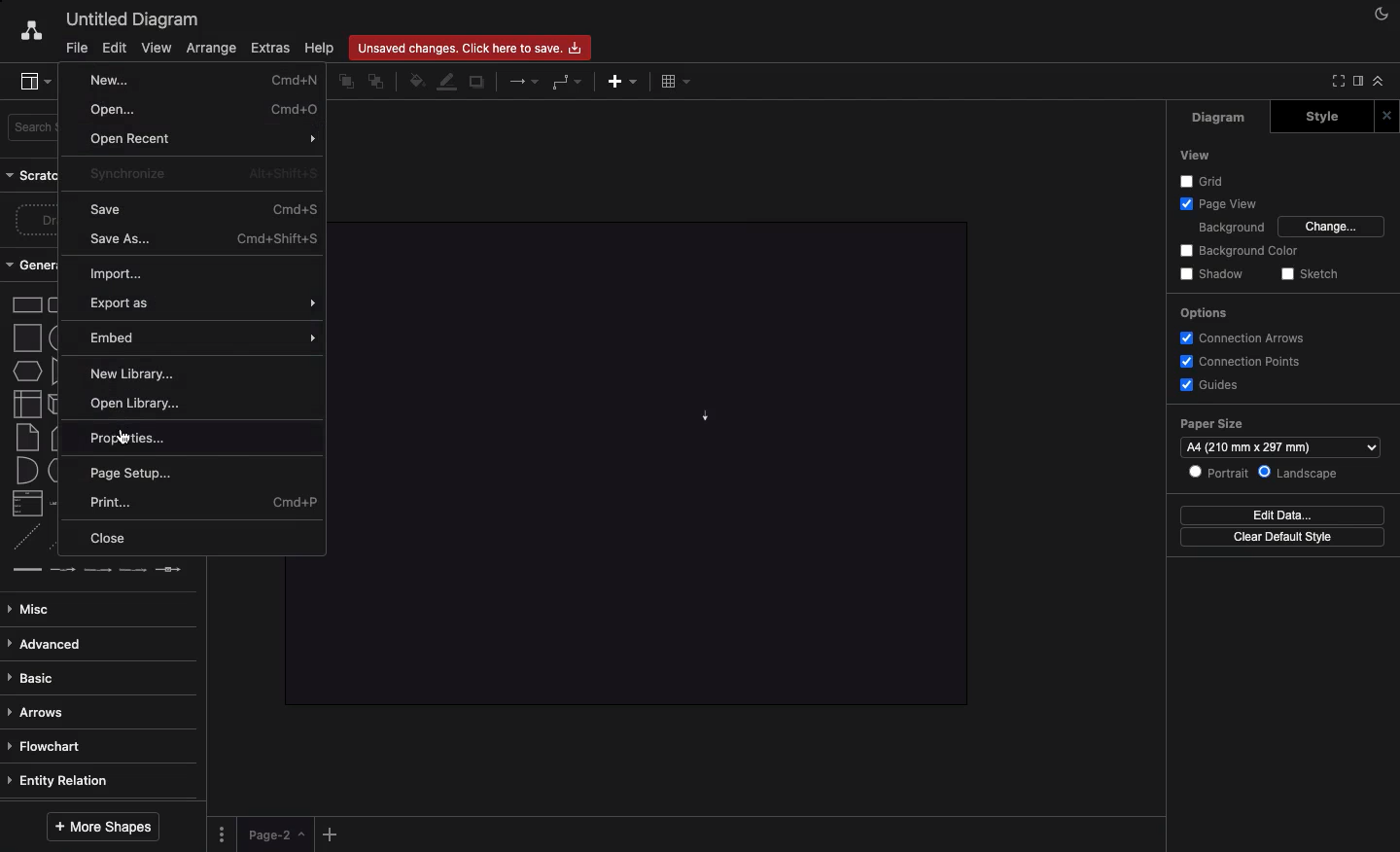 The height and width of the screenshot is (852, 1400). What do you see at coordinates (1220, 118) in the screenshot?
I see `Diagram` at bounding box center [1220, 118].